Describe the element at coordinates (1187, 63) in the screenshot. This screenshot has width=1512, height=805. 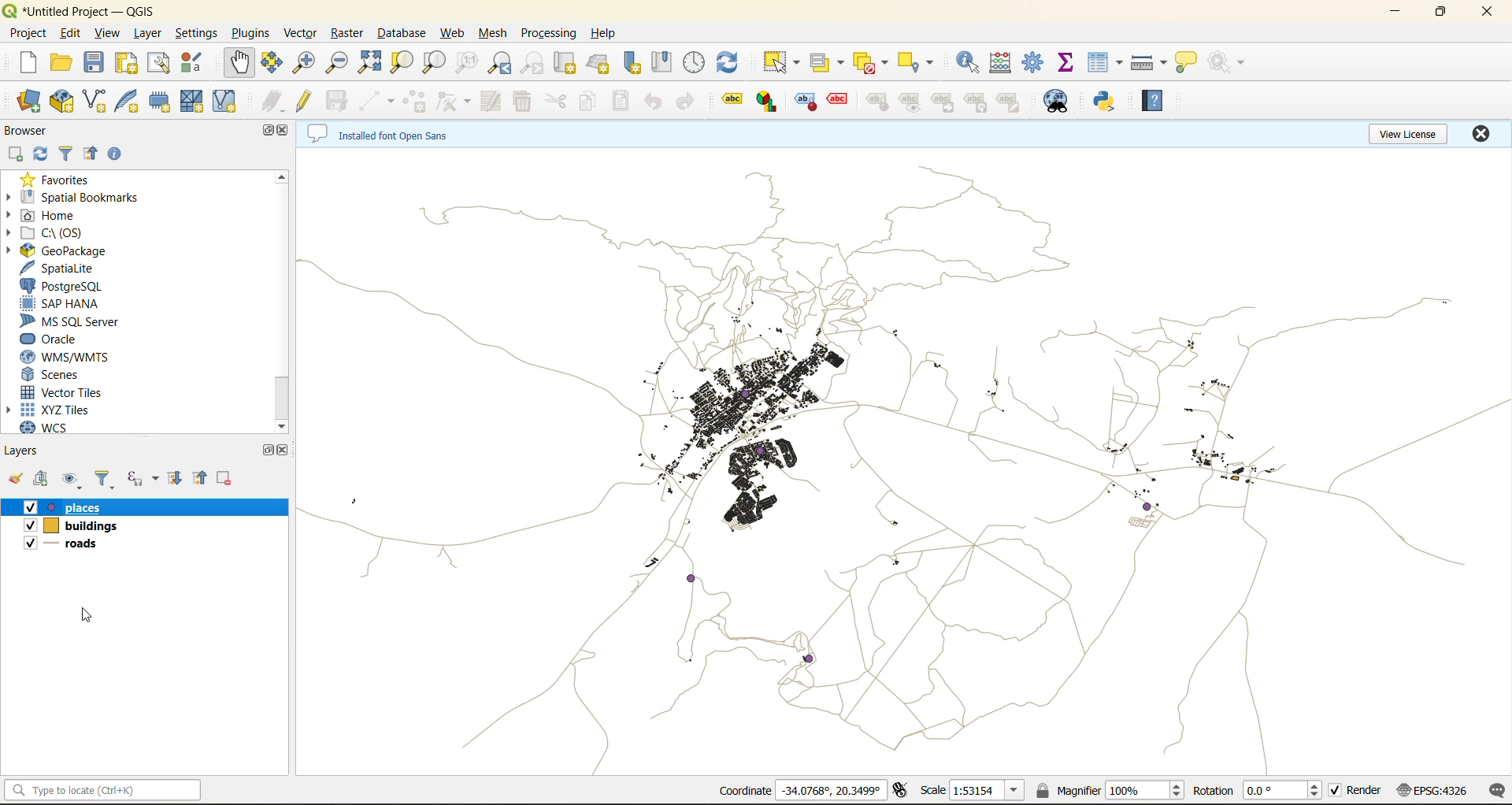
I see `show tips` at that location.